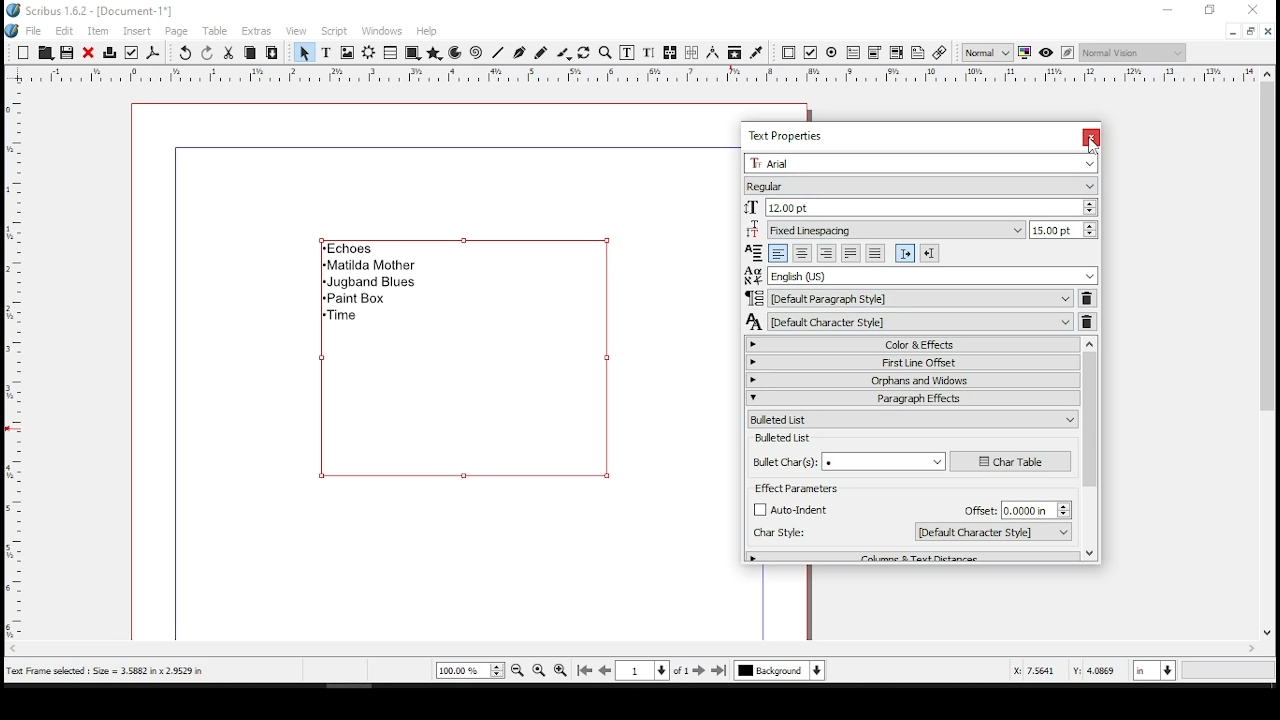  What do you see at coordinates (517, 670) in the screenshot?
I see `zoom out` at bounding box center [517, 670].